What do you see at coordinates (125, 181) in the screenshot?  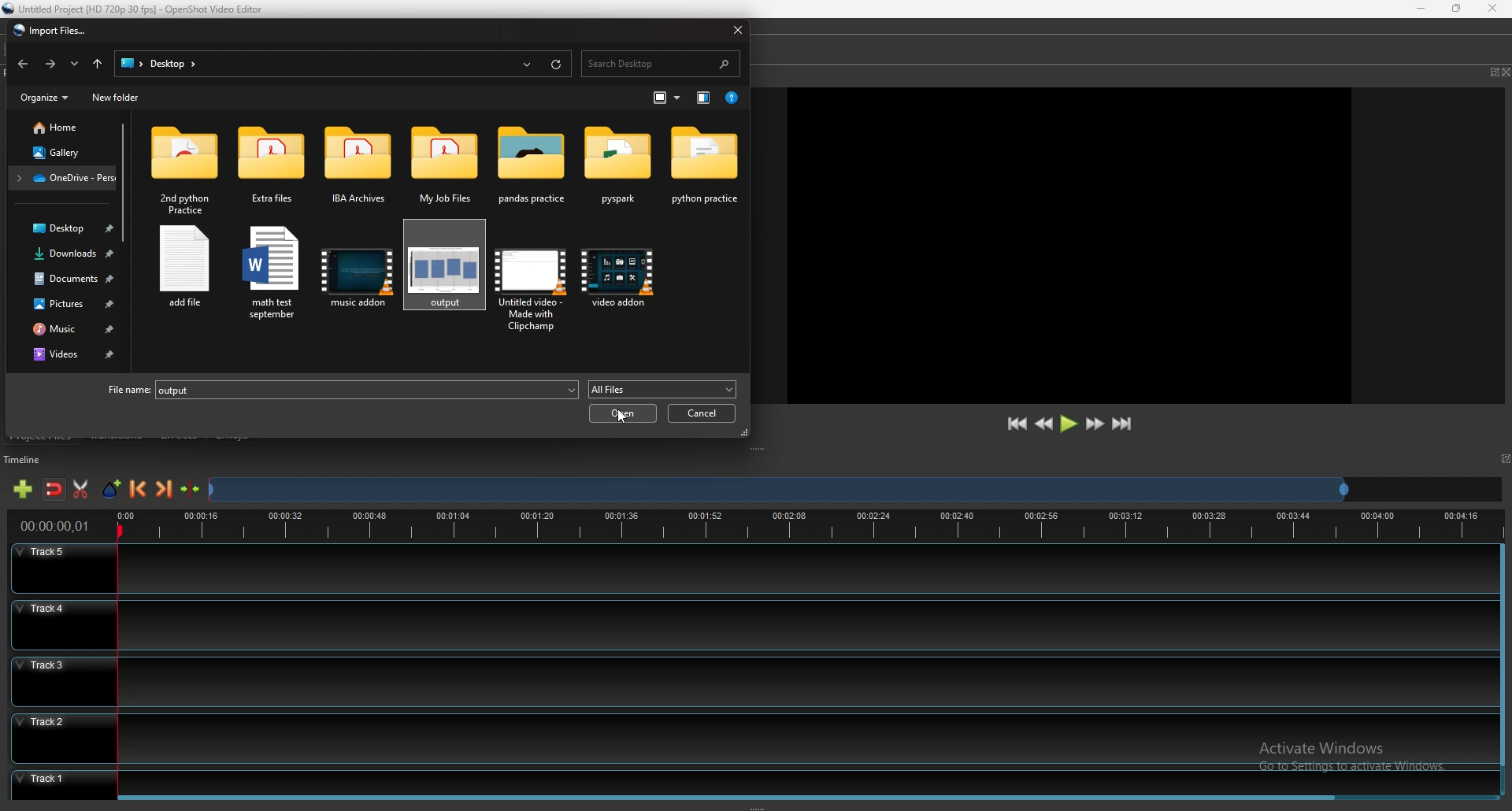 I see `scroll bar` at bounding box center [125, 181].